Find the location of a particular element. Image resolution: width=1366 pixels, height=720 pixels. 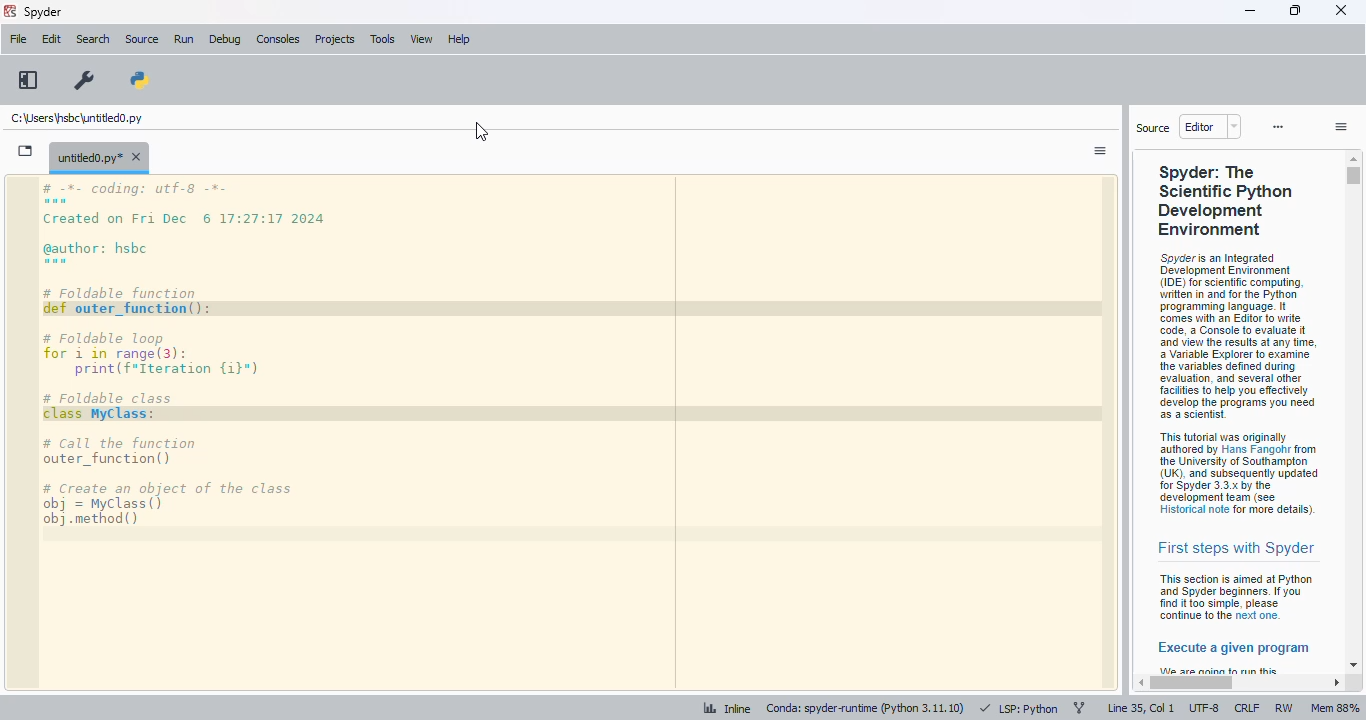

Mem 88% is located at coordinates (1337, 706).